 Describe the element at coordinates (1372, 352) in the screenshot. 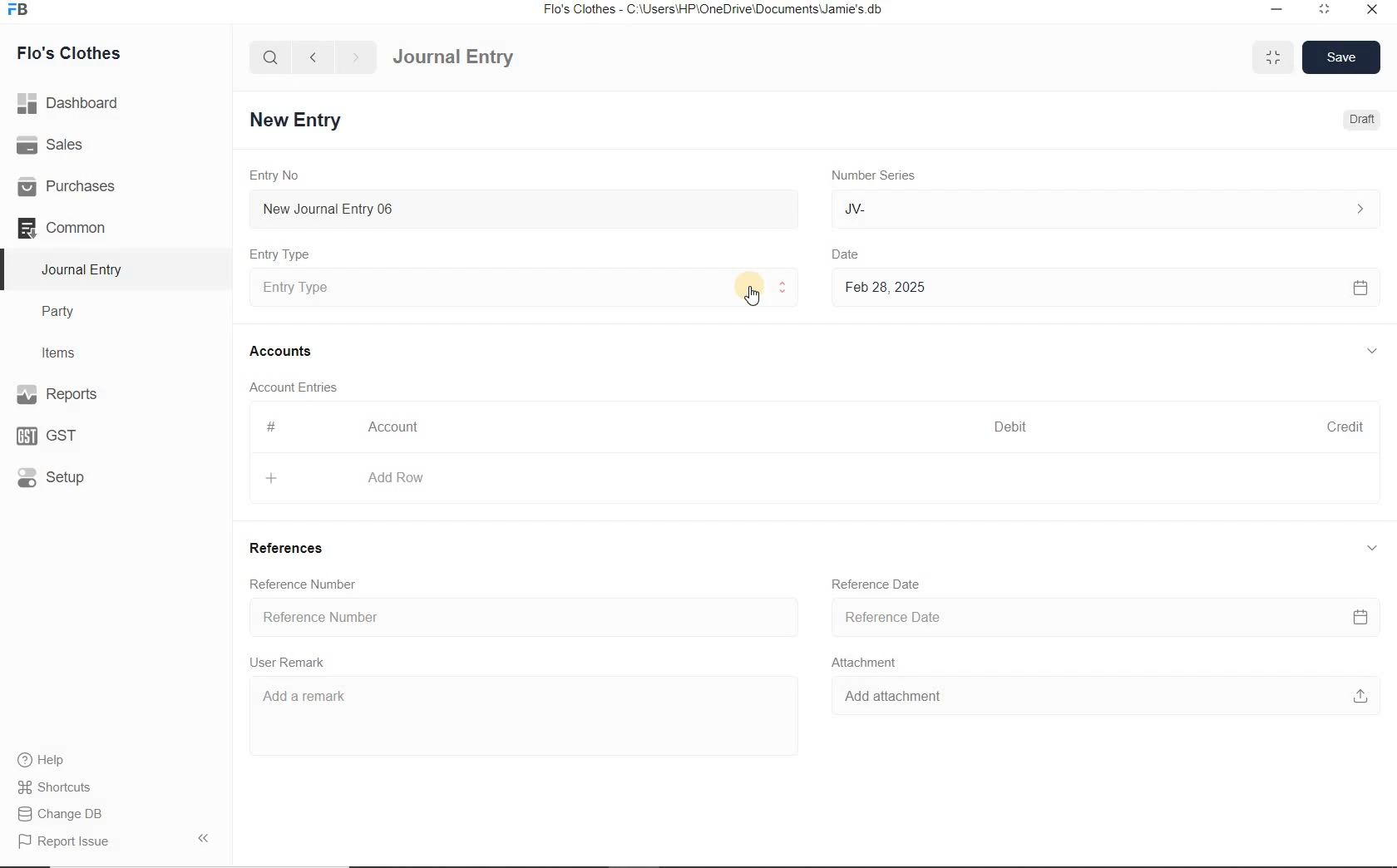

I see `collapse` at that location.